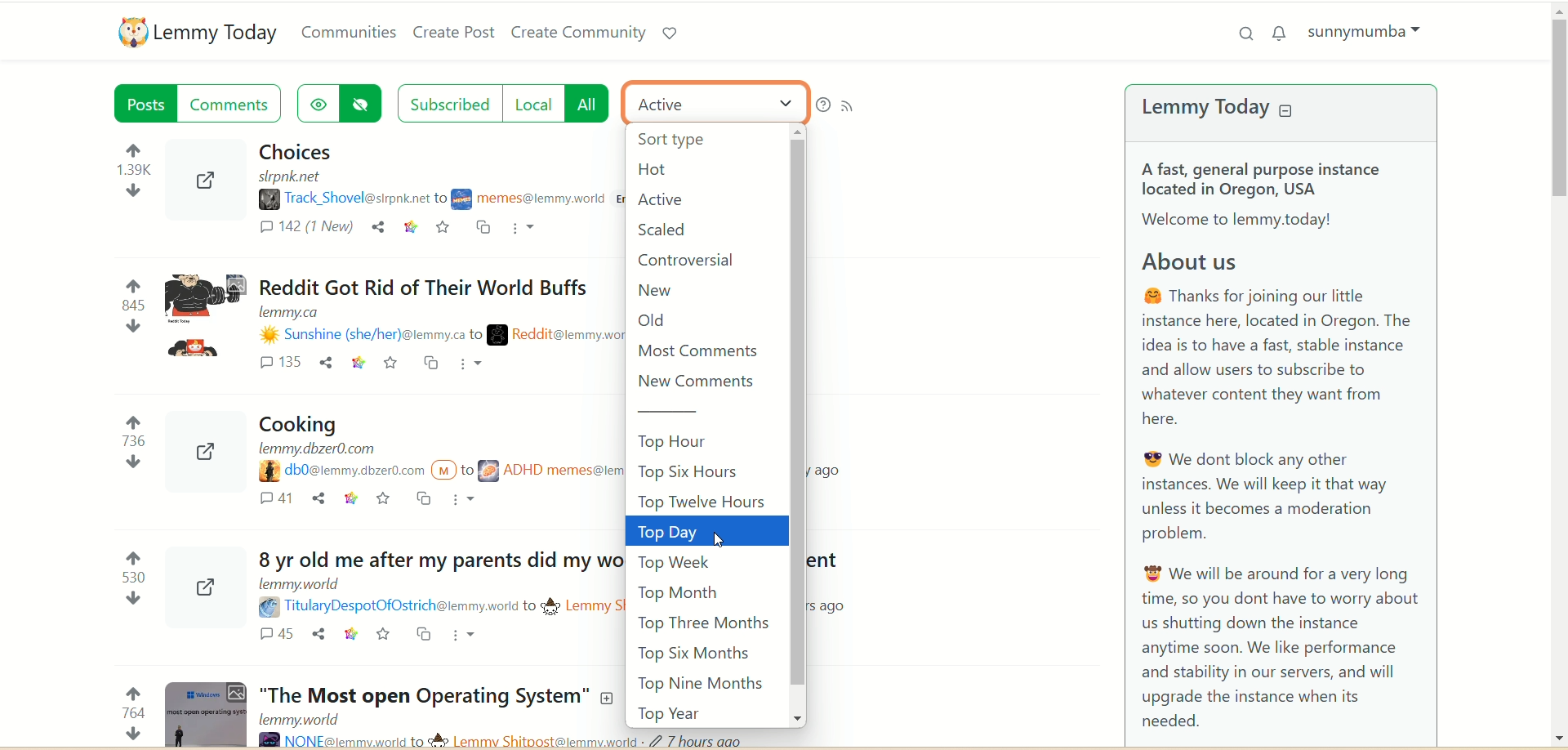  I want to click on Pointer, so click(734, 542).